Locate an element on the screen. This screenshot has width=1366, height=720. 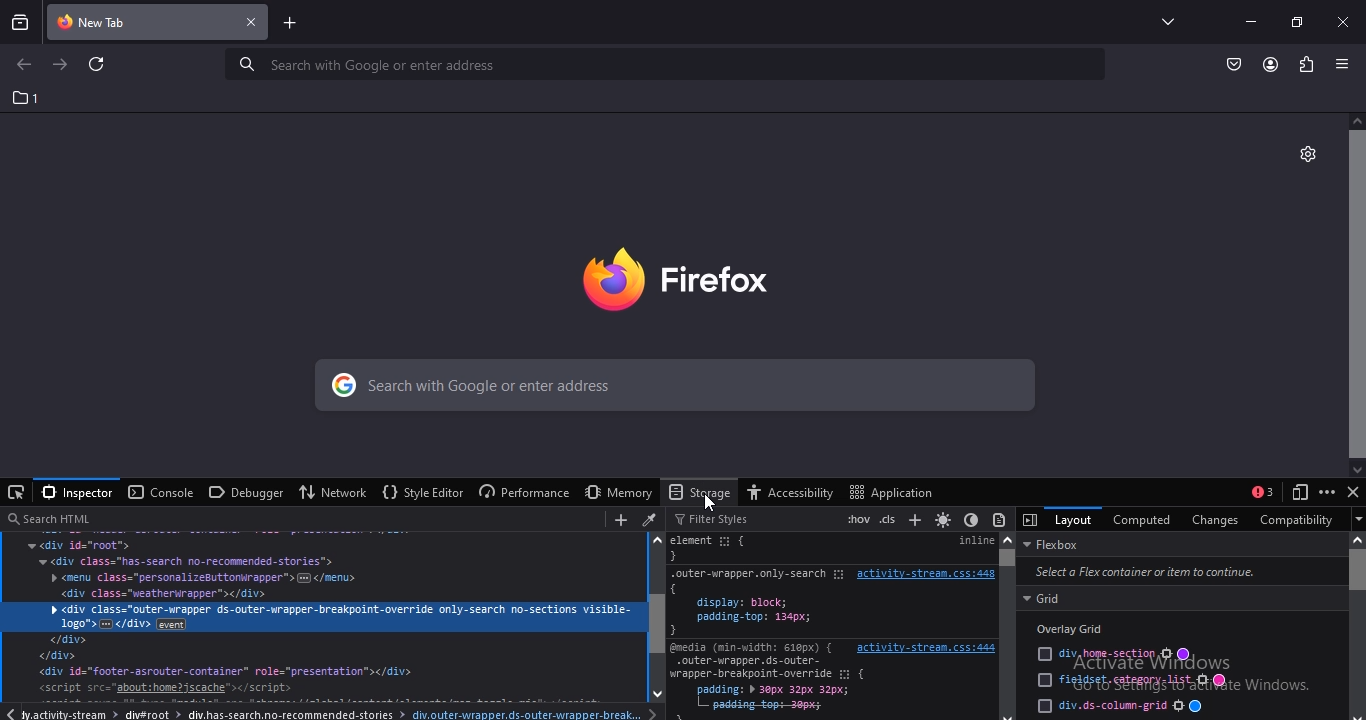
grab a color from the page is located at coordinates (651, 519).